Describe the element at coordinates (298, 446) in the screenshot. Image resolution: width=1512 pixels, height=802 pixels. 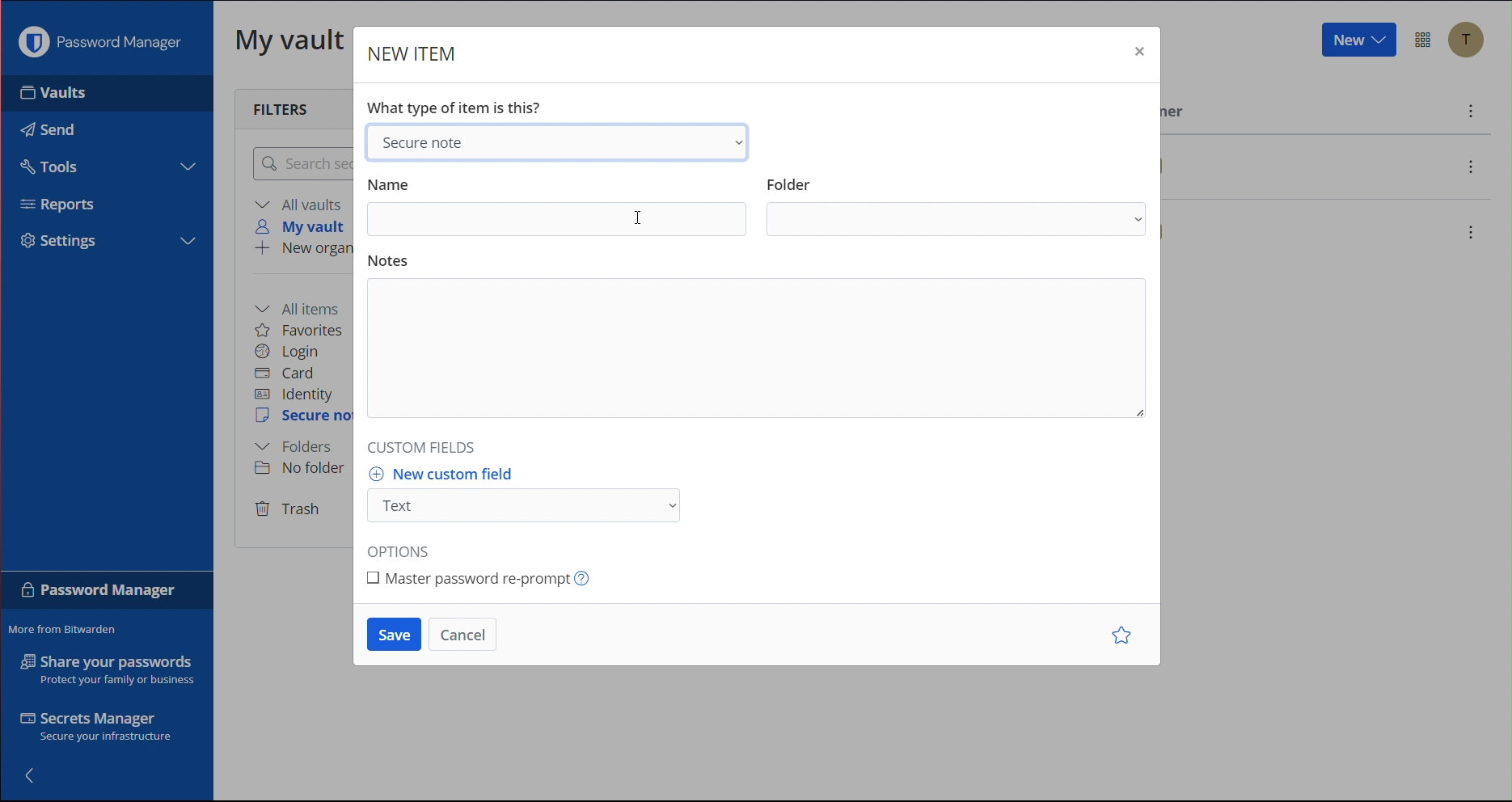
I see `Folders` at that location.